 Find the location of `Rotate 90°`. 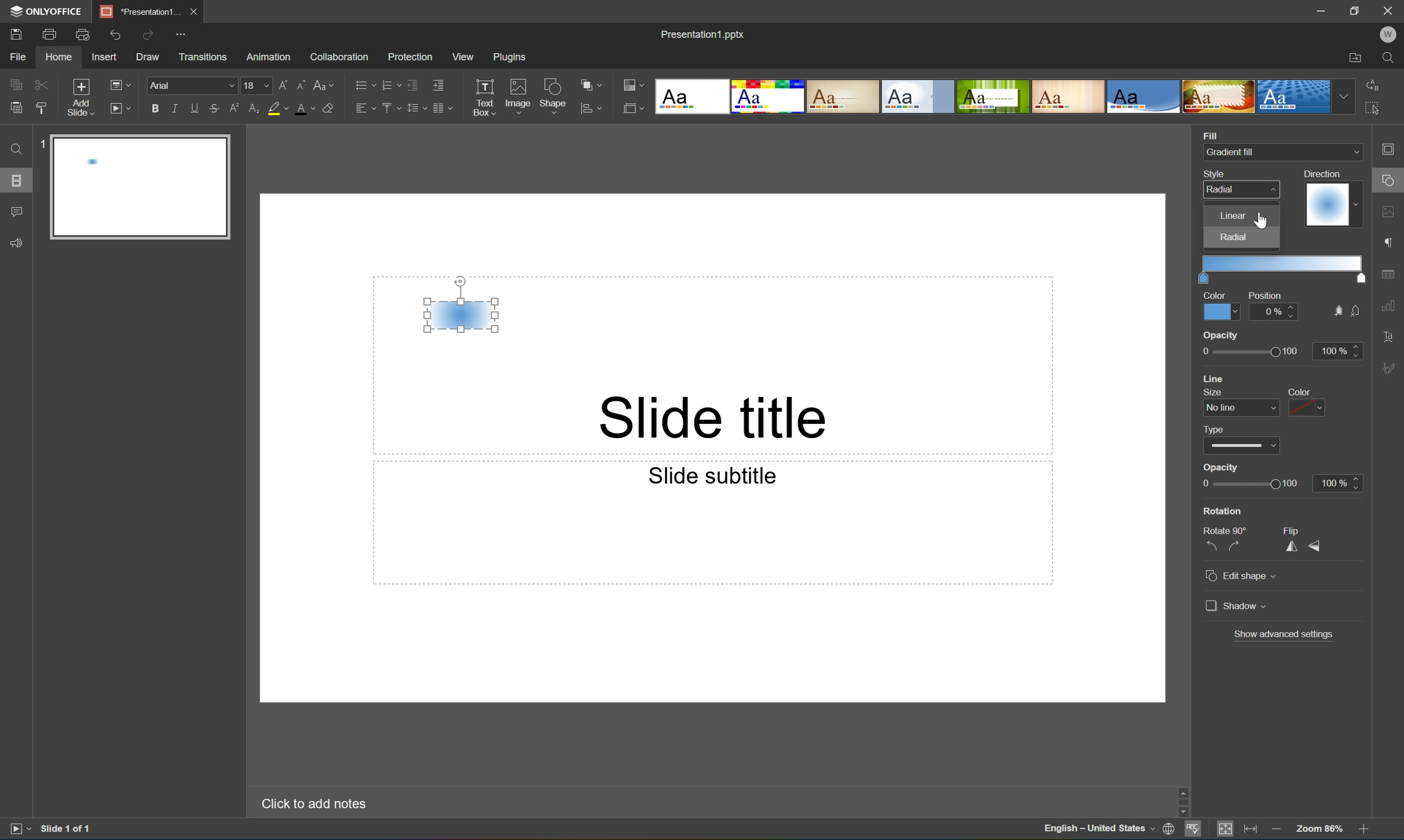

Rotate 90° is located at coordinates (1226, 529).